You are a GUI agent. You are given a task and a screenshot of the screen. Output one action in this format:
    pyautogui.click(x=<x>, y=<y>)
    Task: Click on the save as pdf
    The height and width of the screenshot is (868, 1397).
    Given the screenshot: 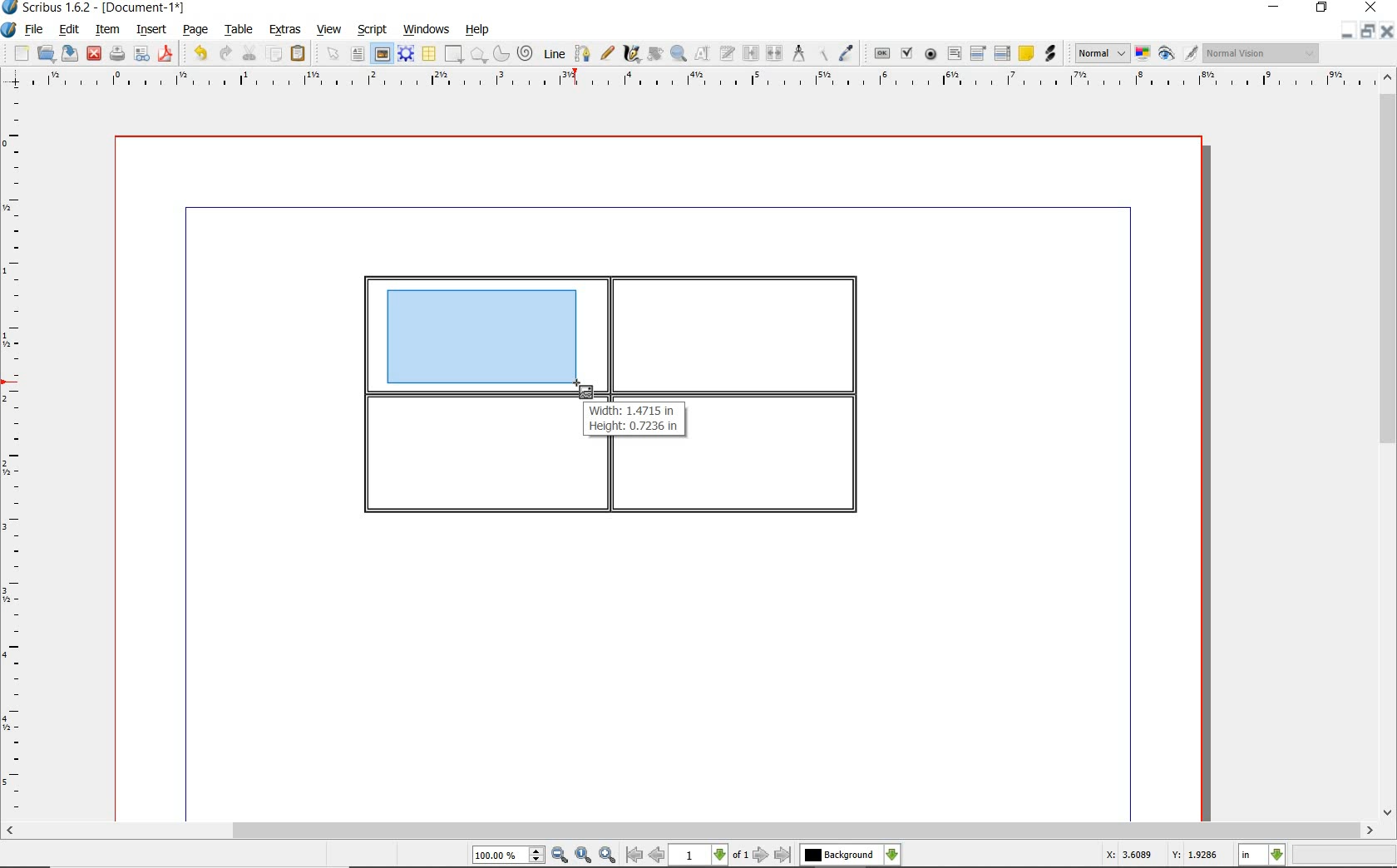 What is the action you would take?
    pyautogui.click(x=165, y=53)
    